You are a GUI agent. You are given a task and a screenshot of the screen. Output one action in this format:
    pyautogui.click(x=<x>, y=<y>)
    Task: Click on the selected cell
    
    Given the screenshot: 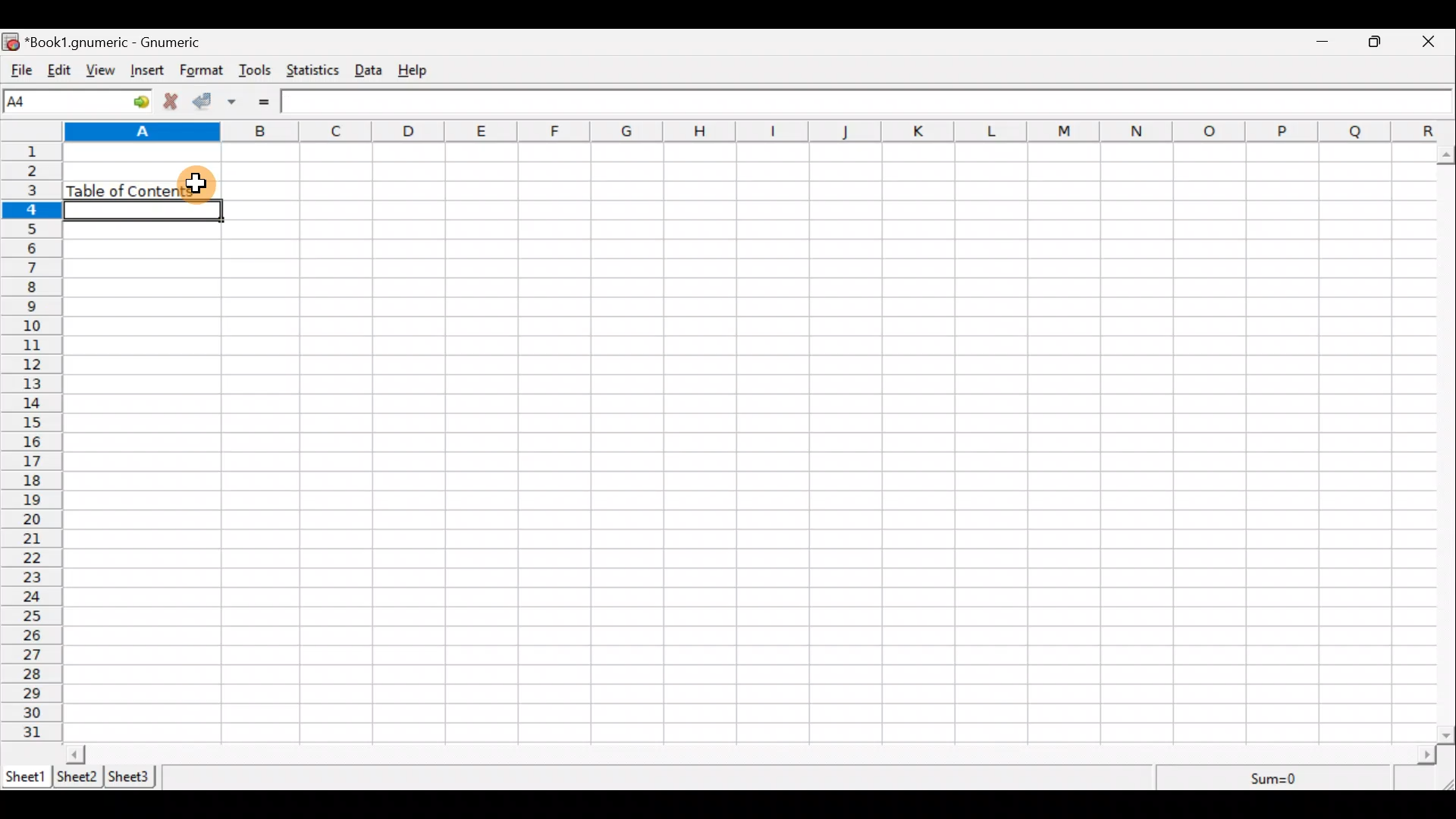 What is the action you would take?
    pyautogui.click(x=143, y=211)
    